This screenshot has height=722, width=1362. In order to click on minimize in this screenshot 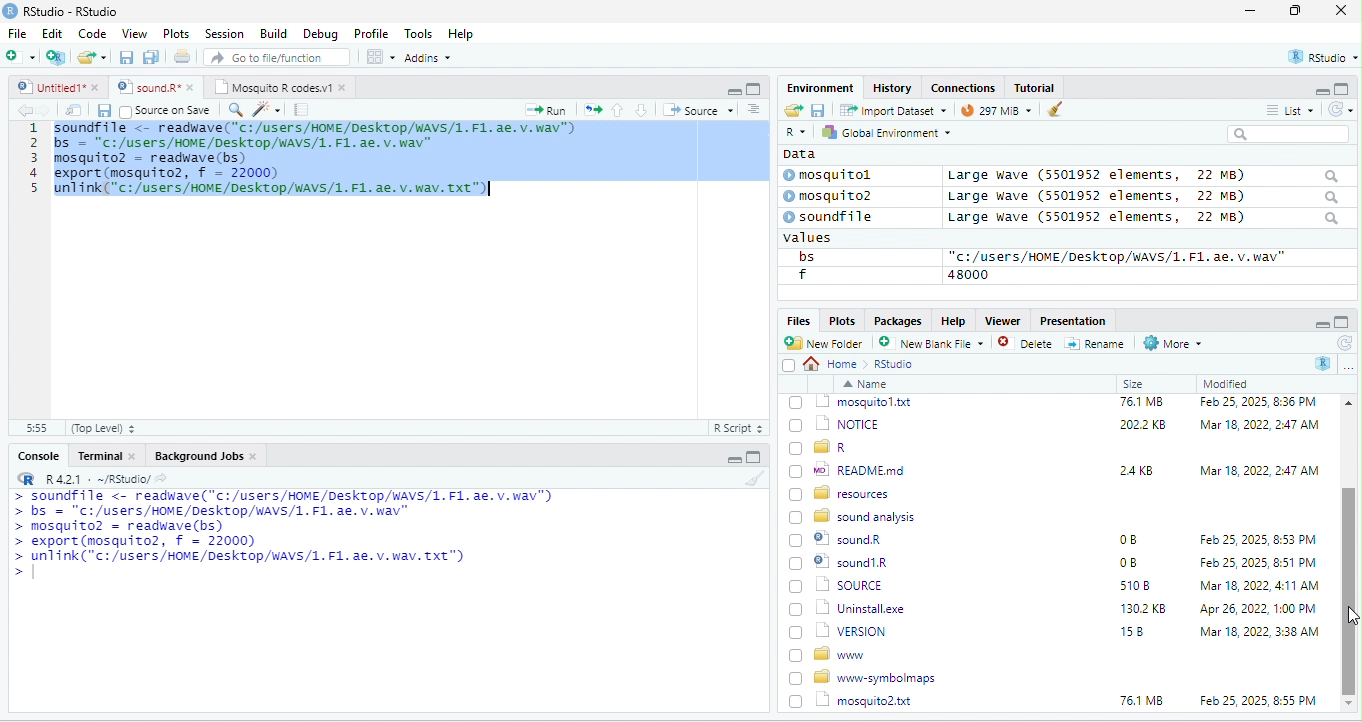, I will do `click(731, 460)`.